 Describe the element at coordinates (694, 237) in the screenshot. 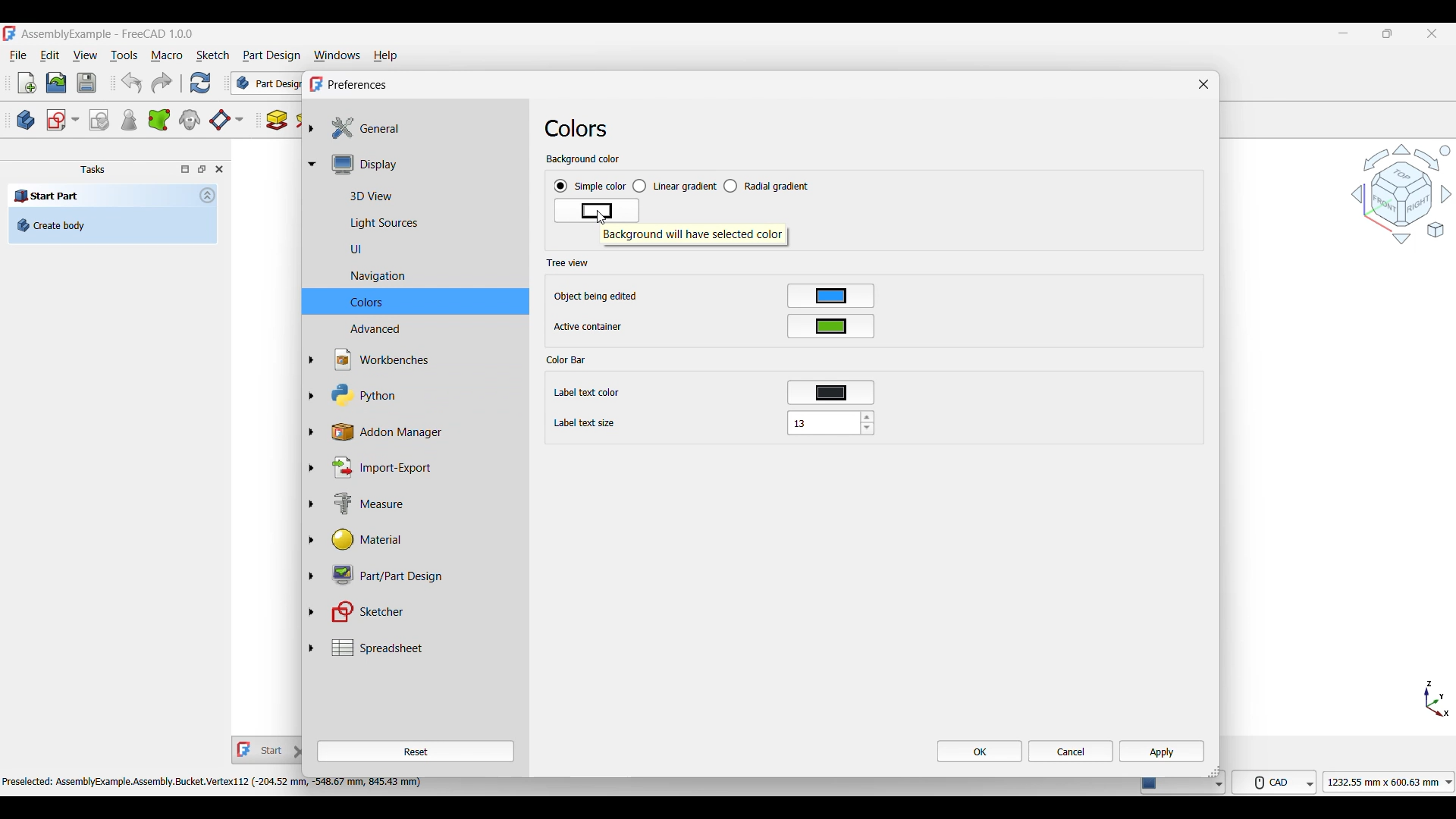

I see `‘background will have selected color` at that location.